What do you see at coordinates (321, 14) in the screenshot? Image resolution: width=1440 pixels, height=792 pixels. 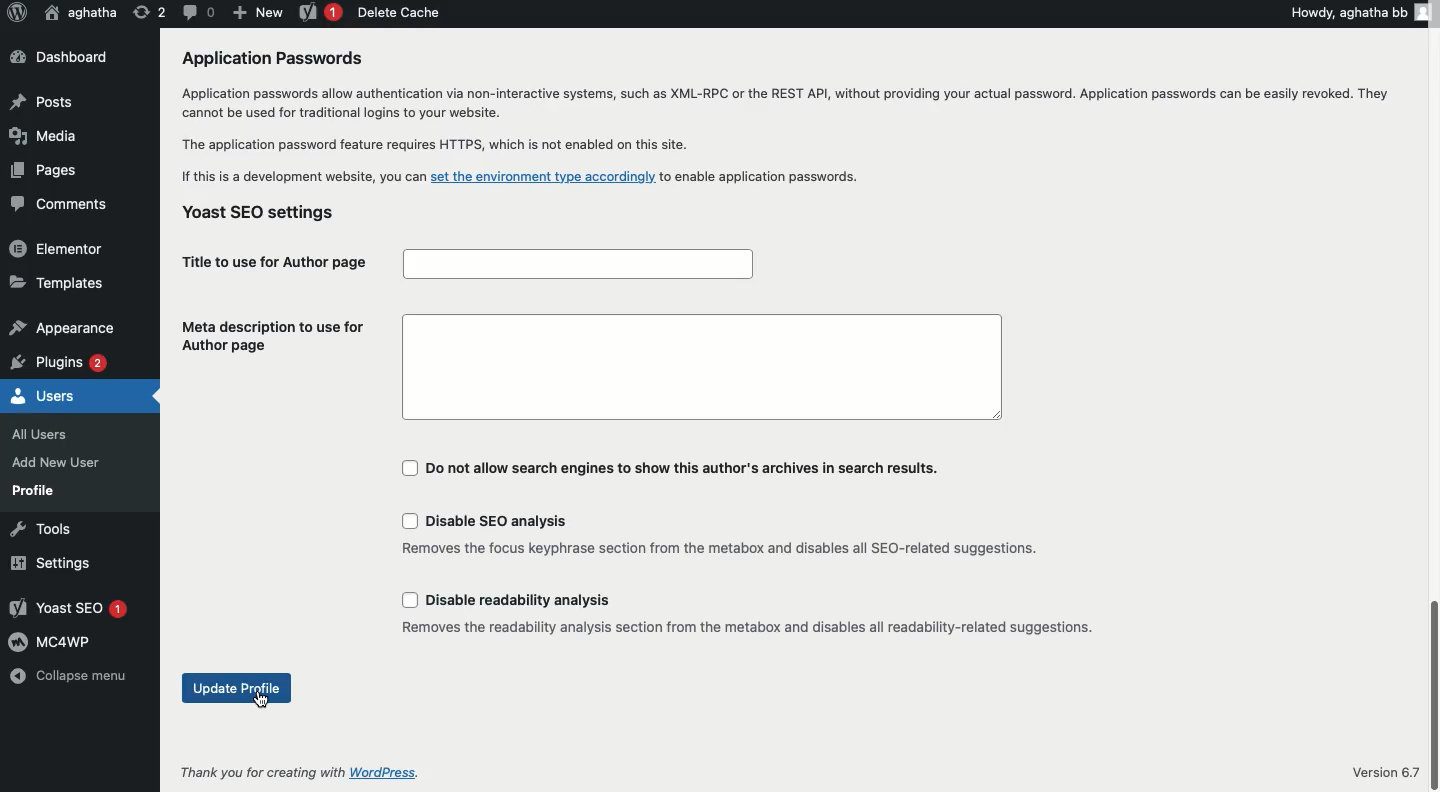 I see `Yoast` at bounding box center [321, 14].